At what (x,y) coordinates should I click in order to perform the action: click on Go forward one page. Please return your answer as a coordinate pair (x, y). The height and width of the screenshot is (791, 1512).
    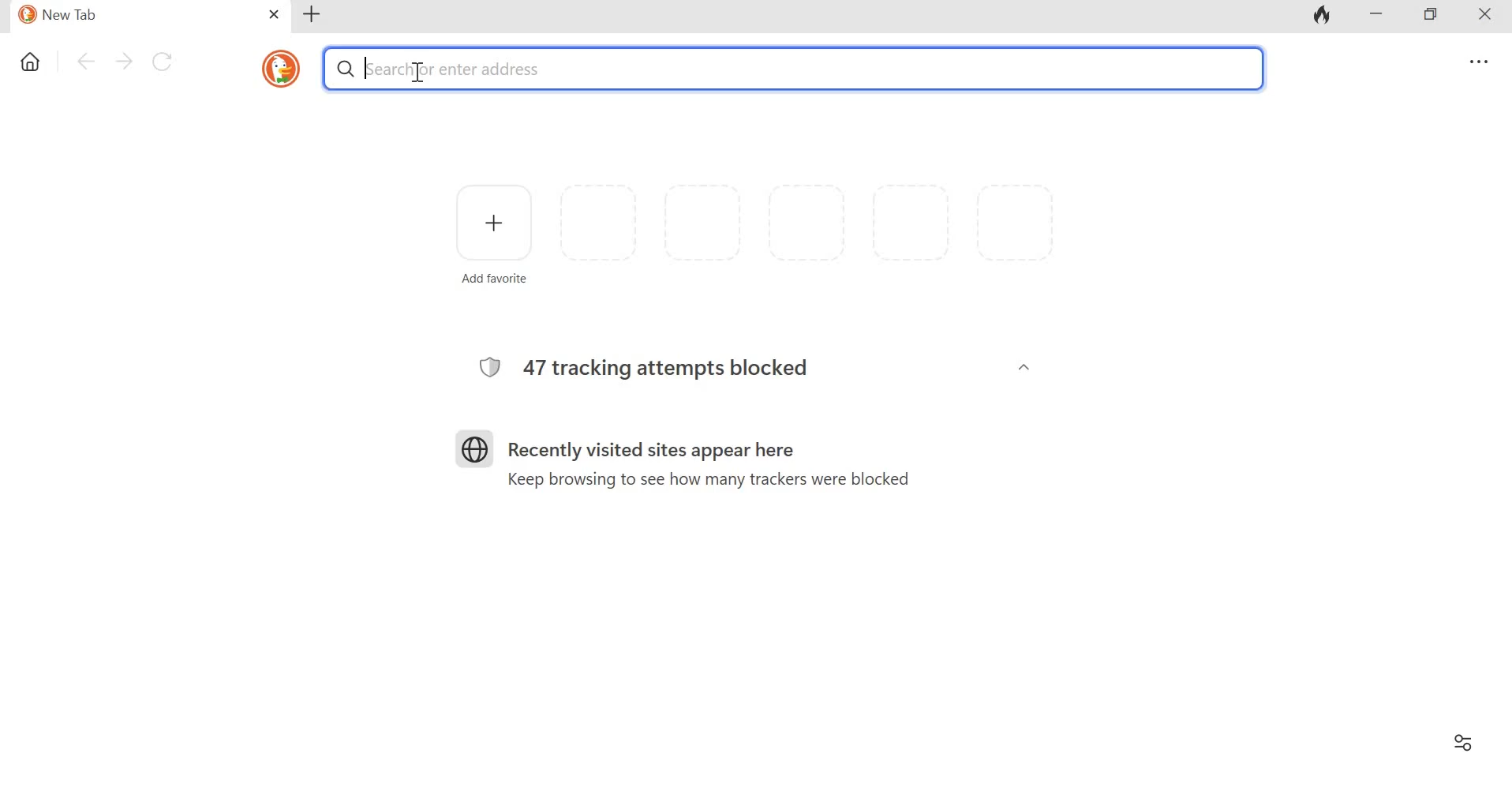
    Looking at the image, I should click on (124, 61).